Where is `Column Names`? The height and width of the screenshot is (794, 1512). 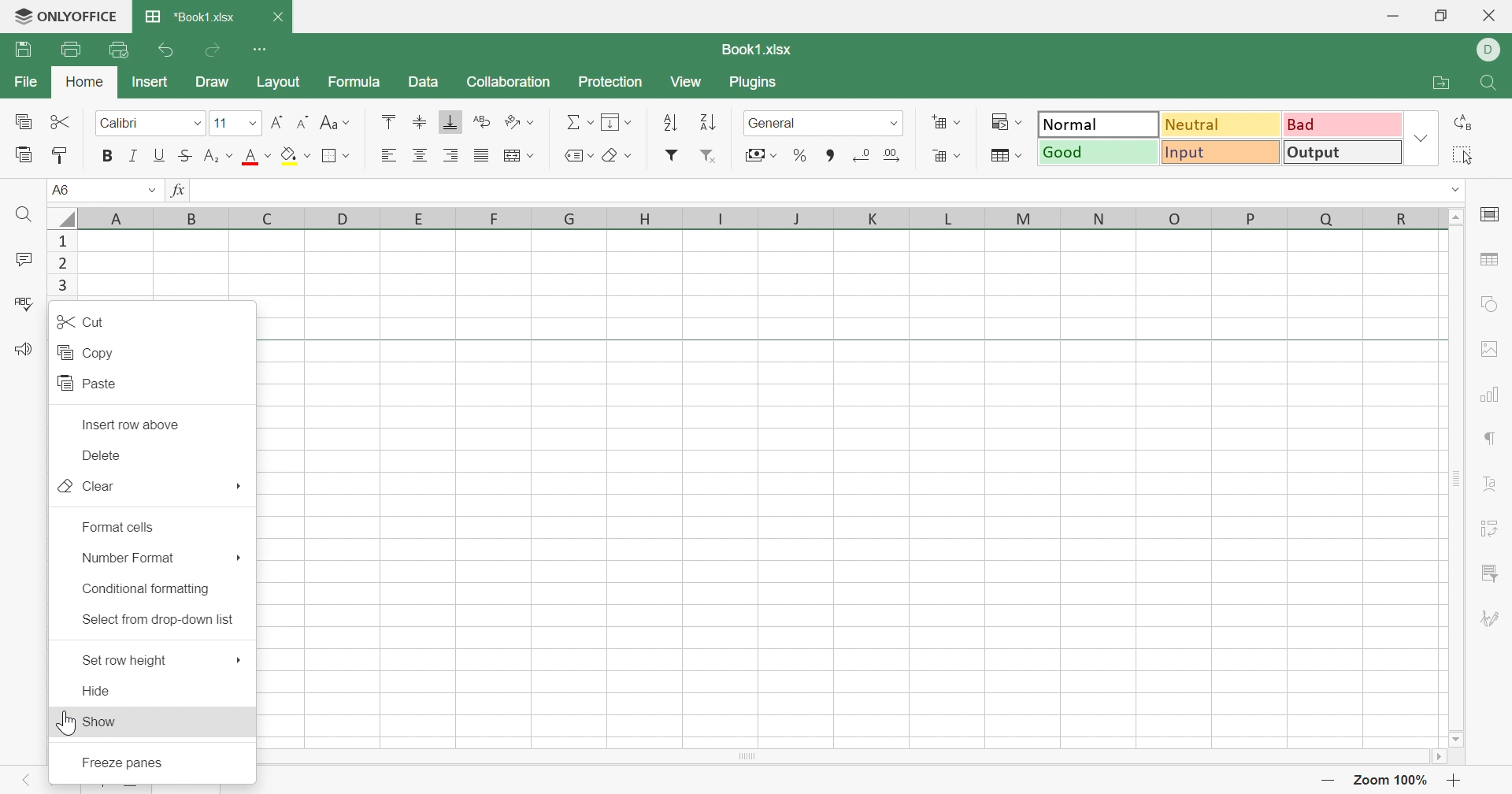 Column Names is located at coordinates (734, 220).